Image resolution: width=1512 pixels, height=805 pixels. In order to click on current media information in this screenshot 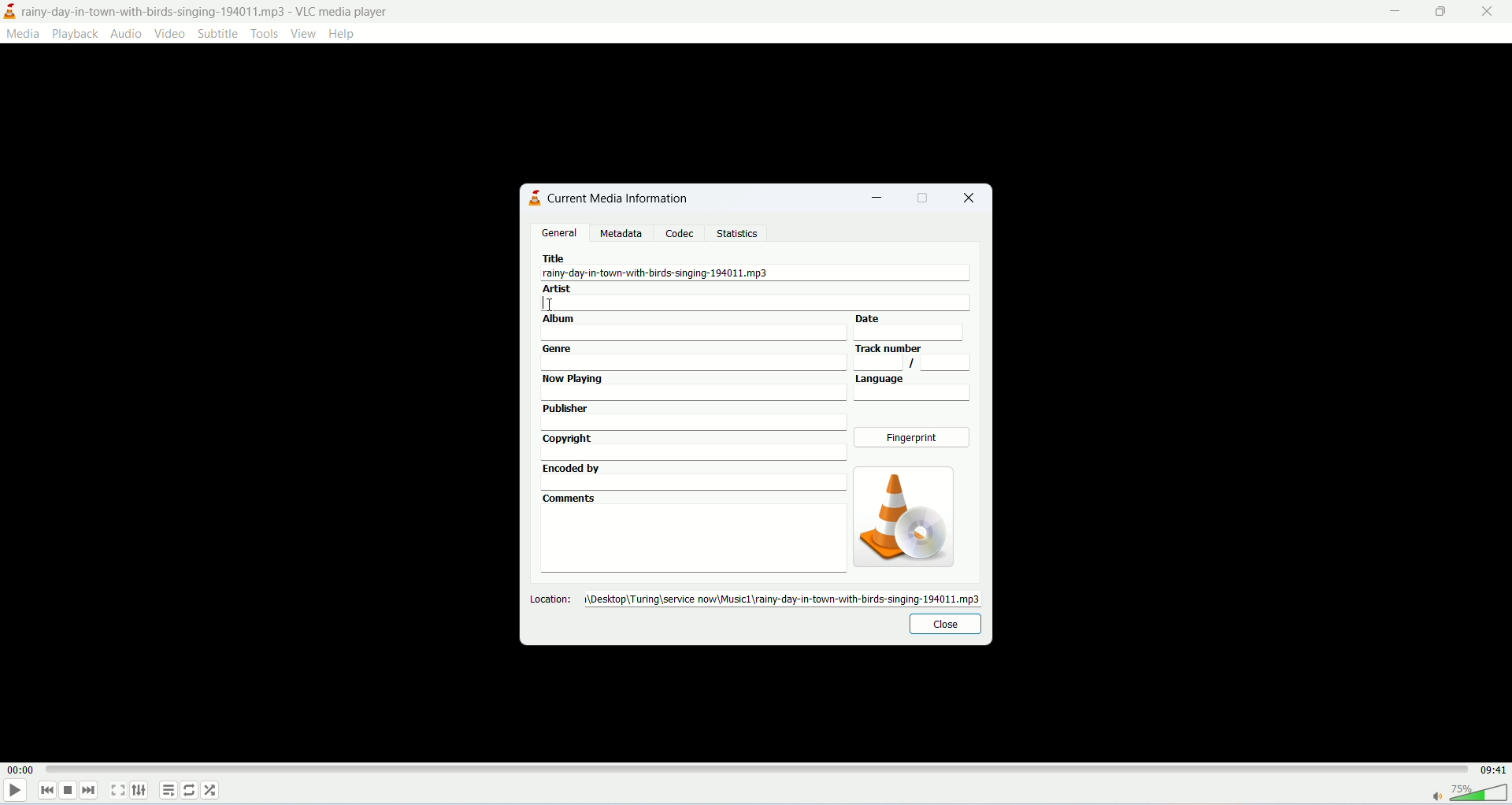, I will do `click(618, 198)`.